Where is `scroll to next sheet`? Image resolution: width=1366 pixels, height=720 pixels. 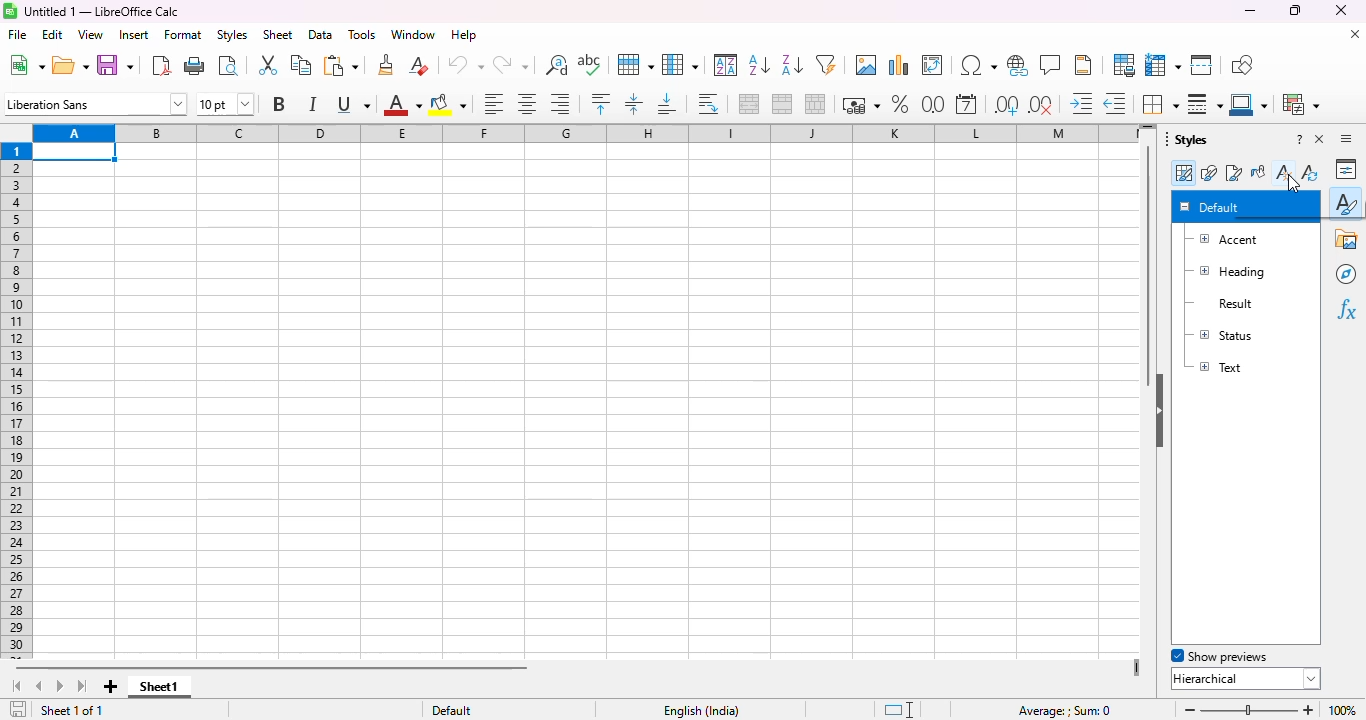
scroll to next sheet is located at coordinates (61, 687).